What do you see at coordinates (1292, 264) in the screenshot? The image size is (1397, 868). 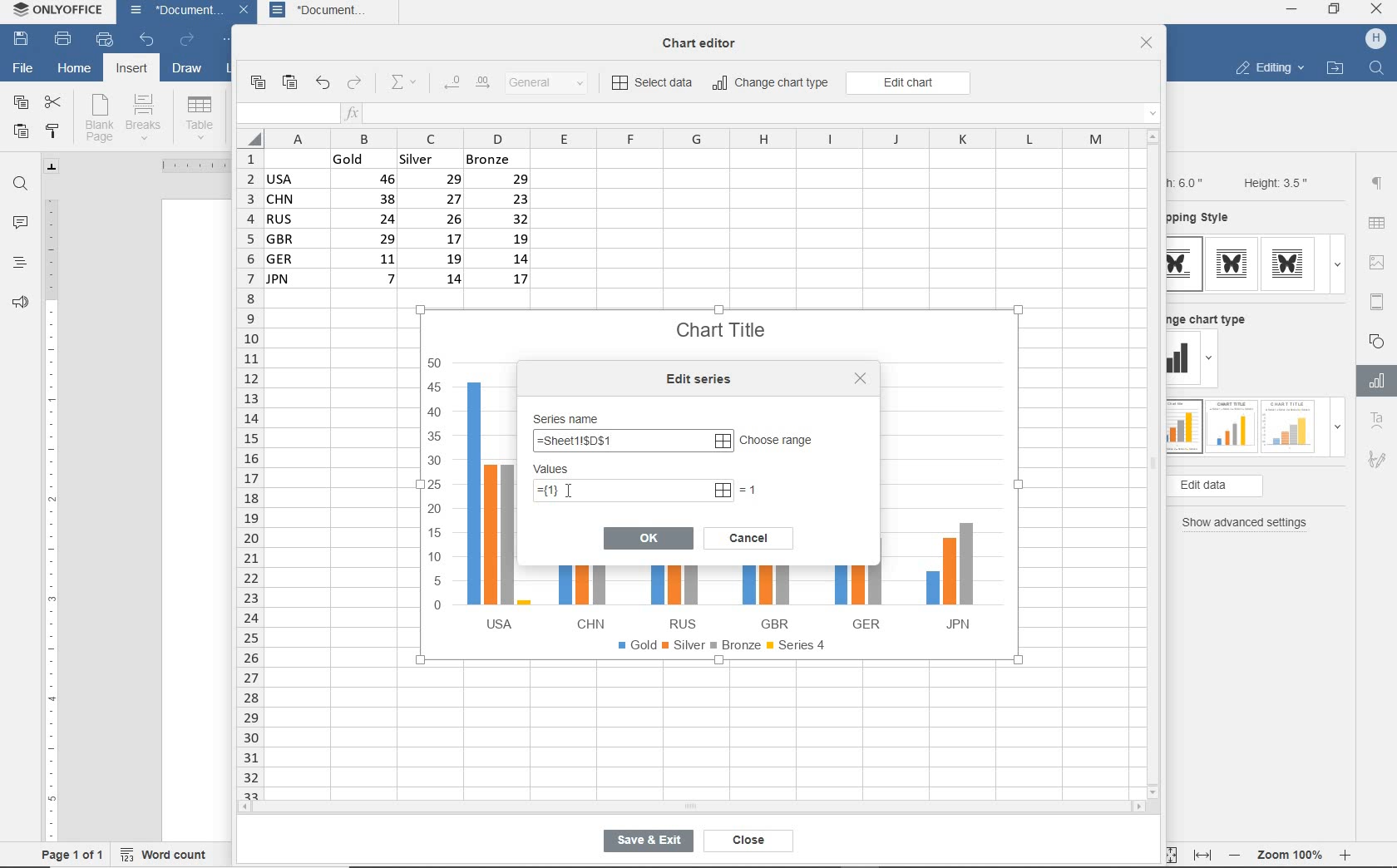 I see `type 3` at bounding box center [1292, 264].